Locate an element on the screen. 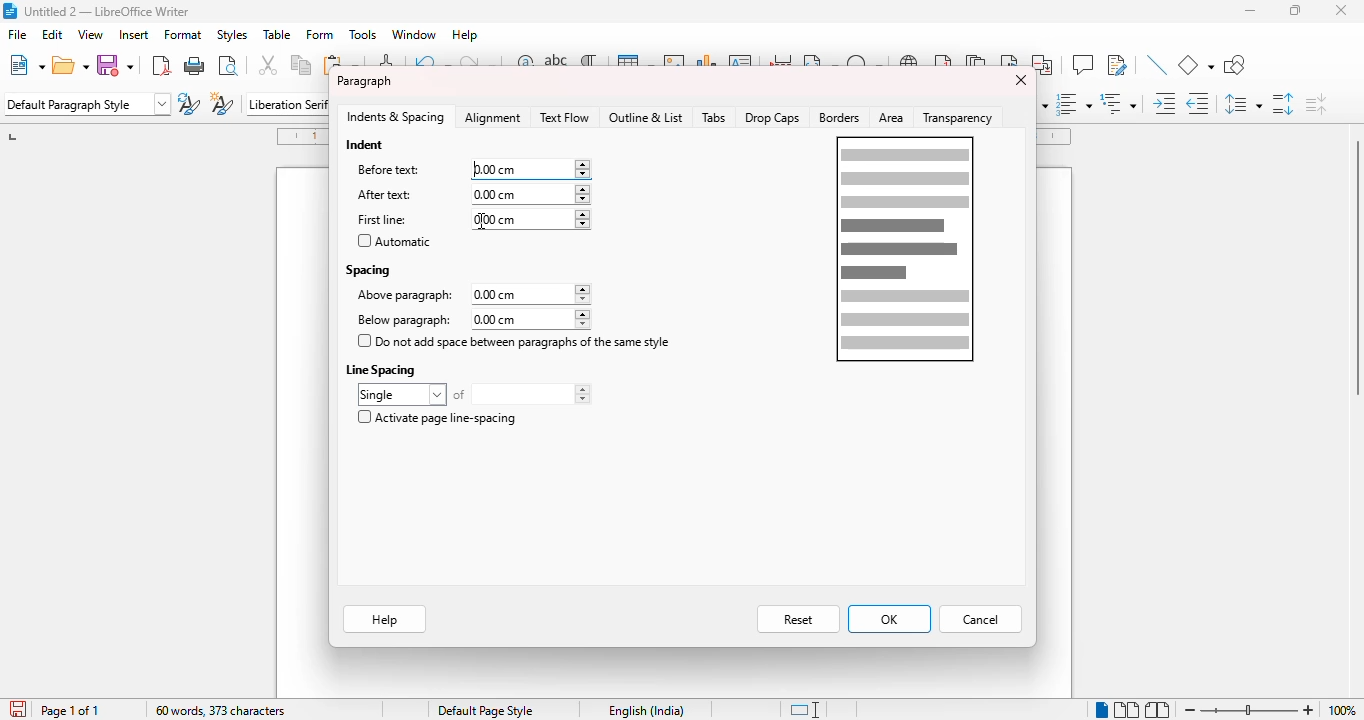 This screenshot has height=720, width=1364. single of is located at coordinates (474, 394).